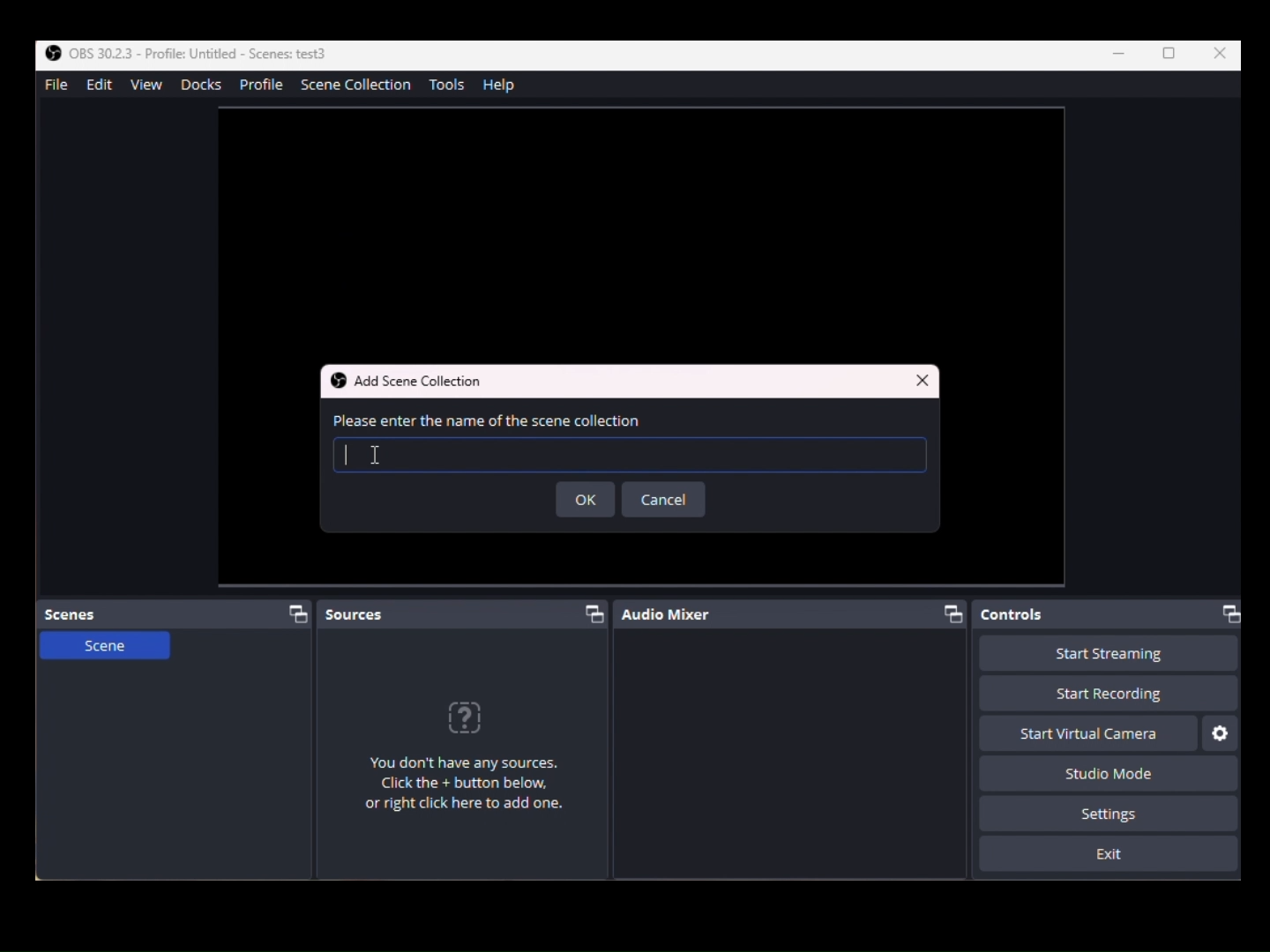  What do you see at coordinates (587, 501) in the screenshot?
I see `Ok` at bounding box center [587, 501].